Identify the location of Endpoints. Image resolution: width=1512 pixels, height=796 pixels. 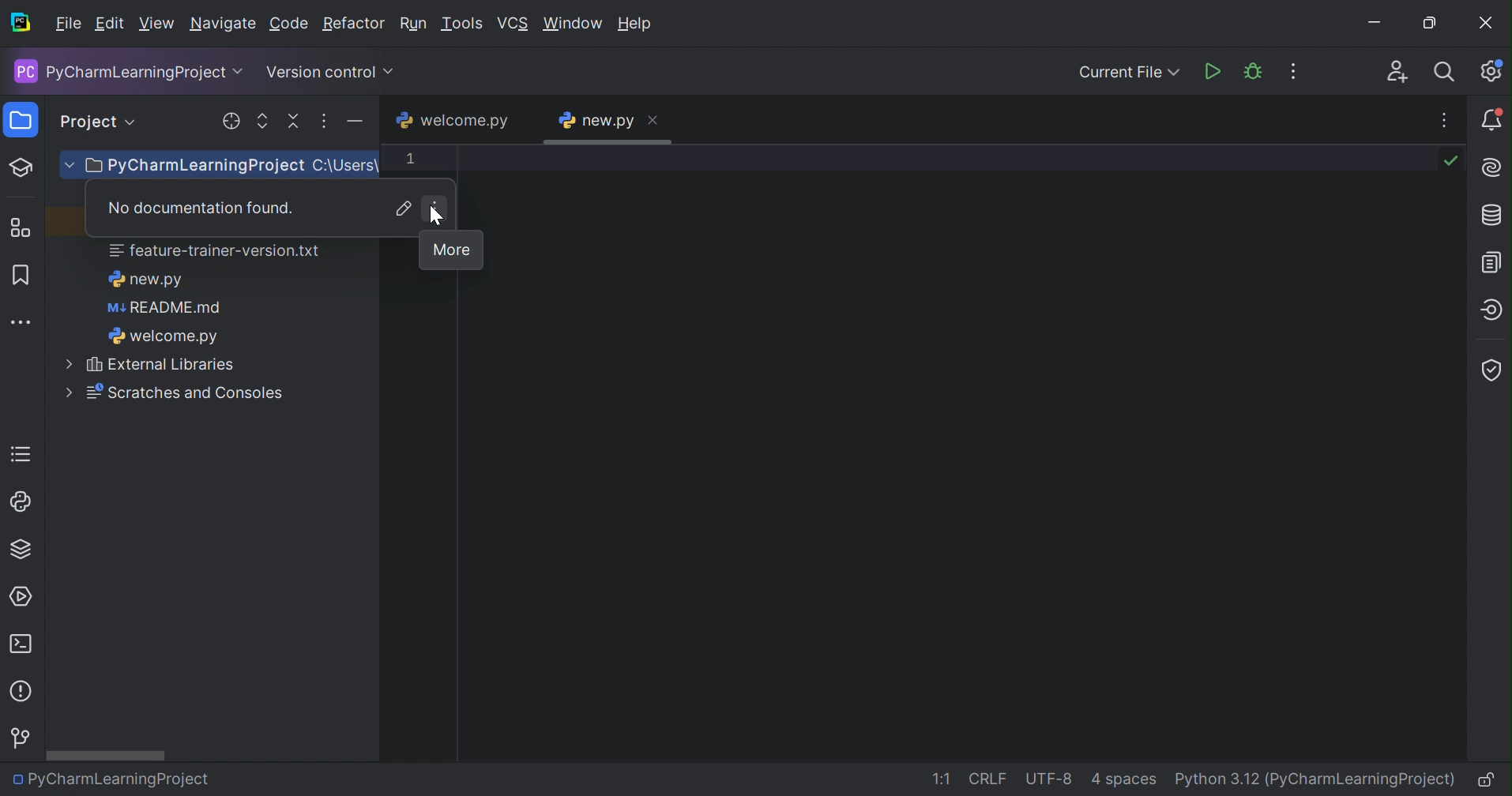
(1492, 310).